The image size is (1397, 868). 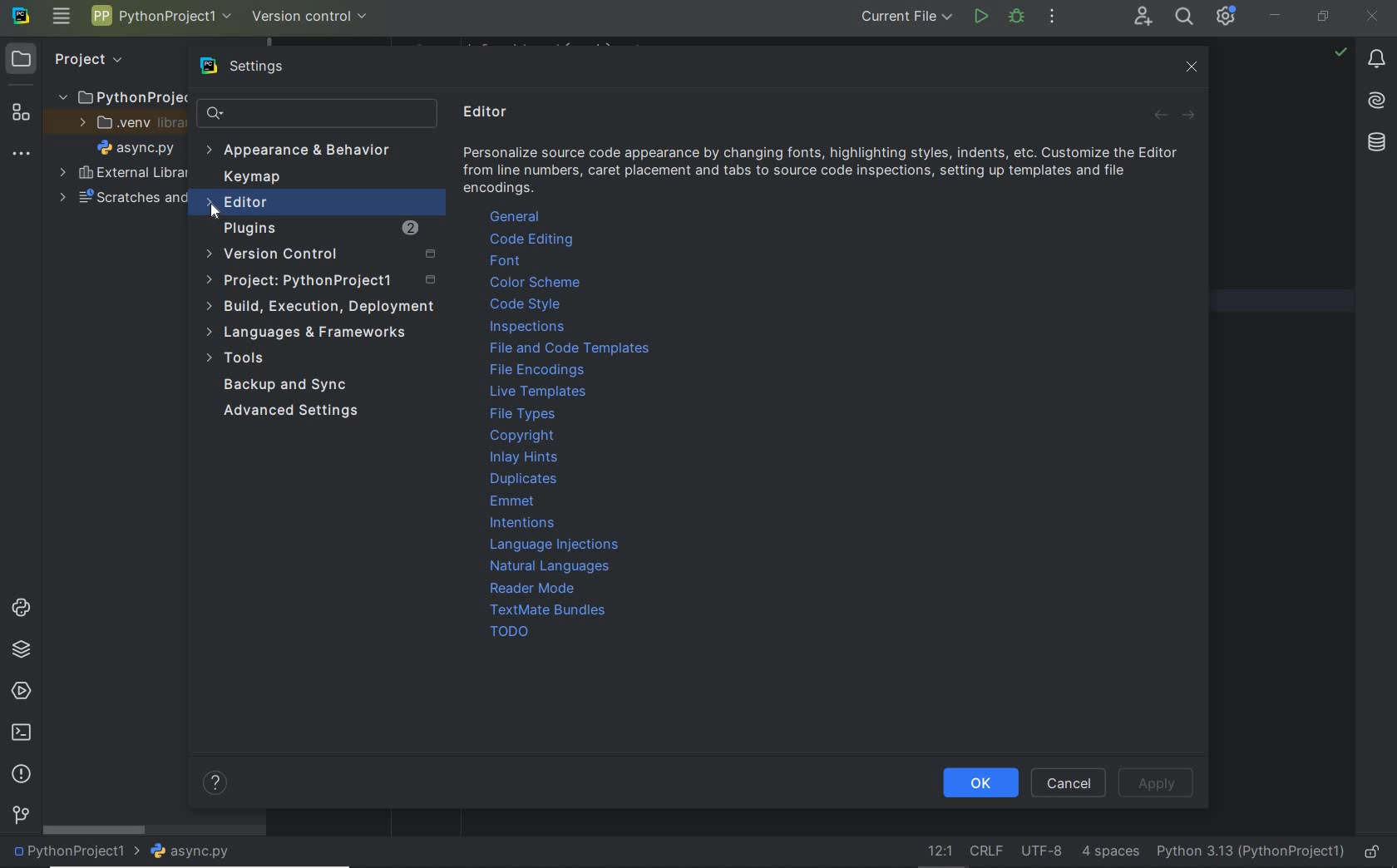 What do you see at coordinates (528, 328) in the screenshot?
I see `Inspections` at bounding box center [528, 328].